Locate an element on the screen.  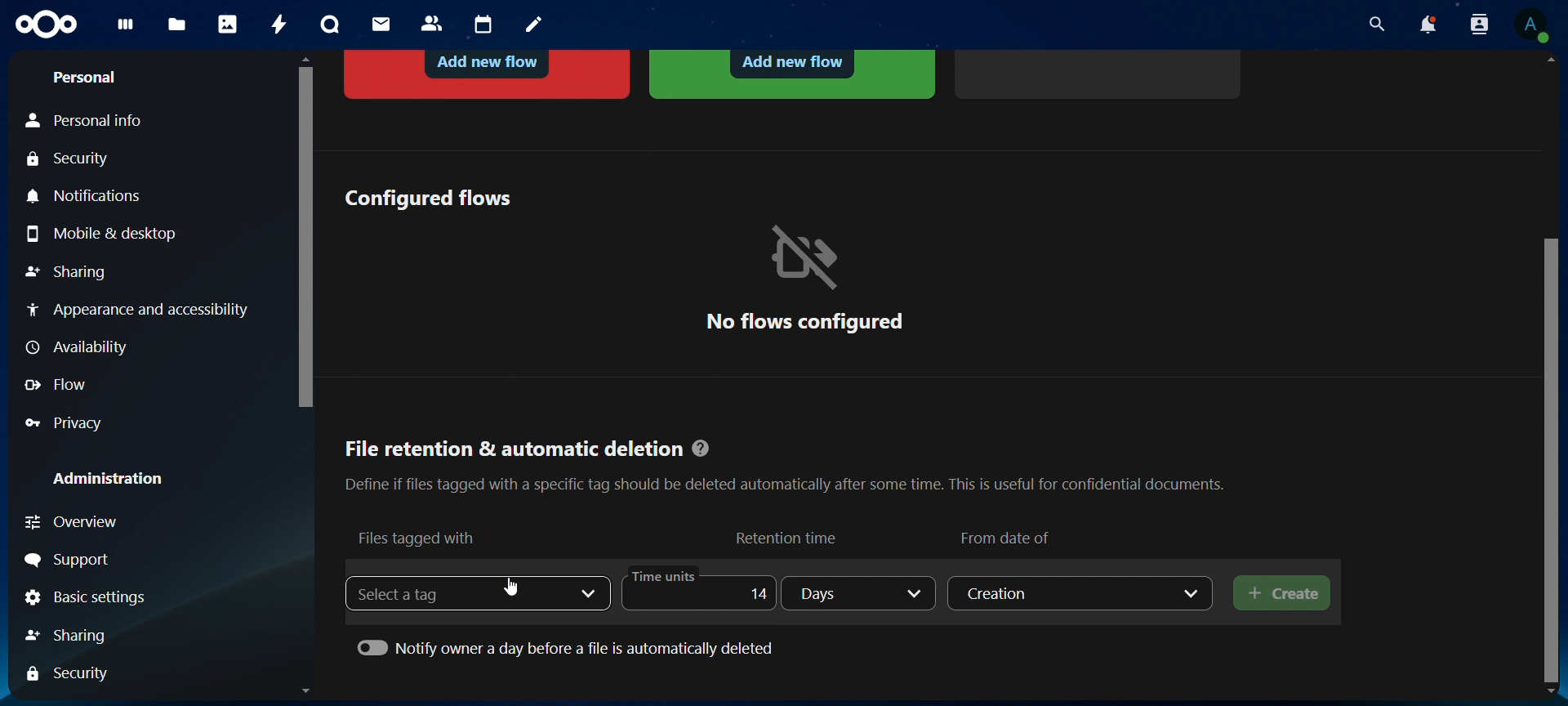
view profile is located at coordinates (1531, 25).